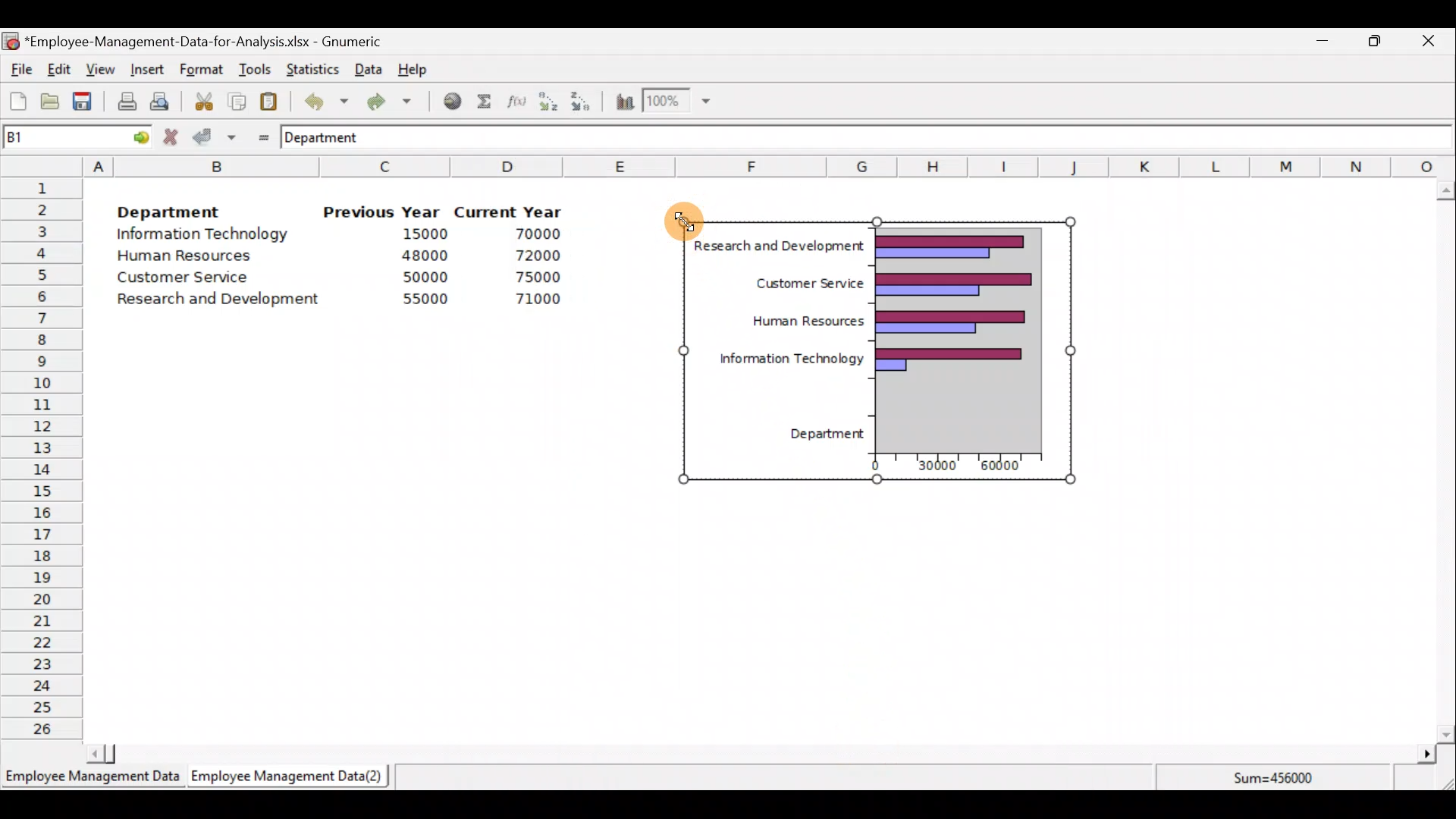 The width and height of the screenshot is (1456, 819). What do you see at coordinates (775, 247) in the screenshot?
I see `Research and Development` at bounding box center [775, 247].